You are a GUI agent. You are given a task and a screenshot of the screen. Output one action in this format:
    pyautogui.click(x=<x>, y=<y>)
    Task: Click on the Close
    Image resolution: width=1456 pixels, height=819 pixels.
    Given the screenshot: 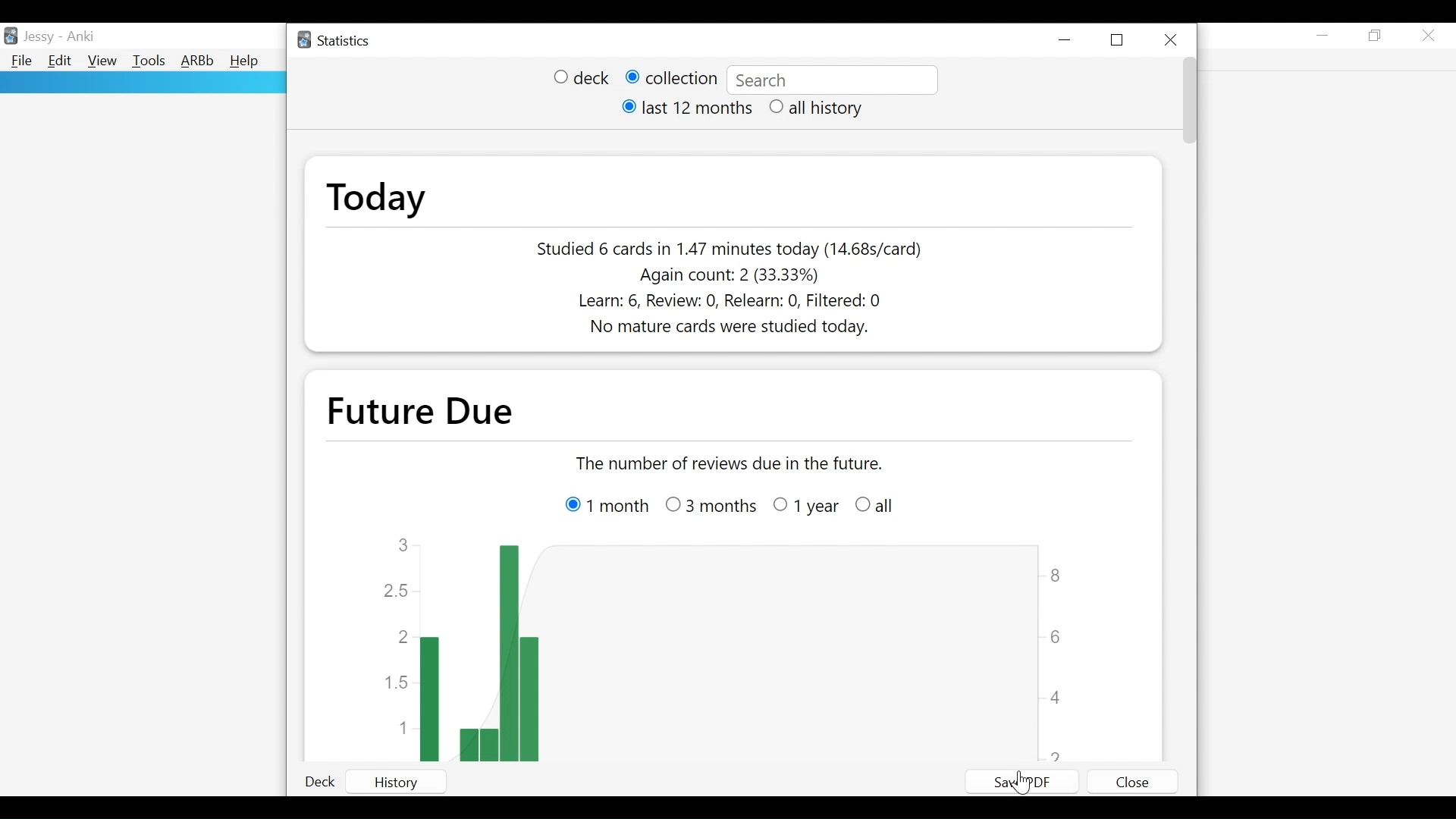 What is the action you would take?
    pyautogui.click(x=1429, y=35)
    